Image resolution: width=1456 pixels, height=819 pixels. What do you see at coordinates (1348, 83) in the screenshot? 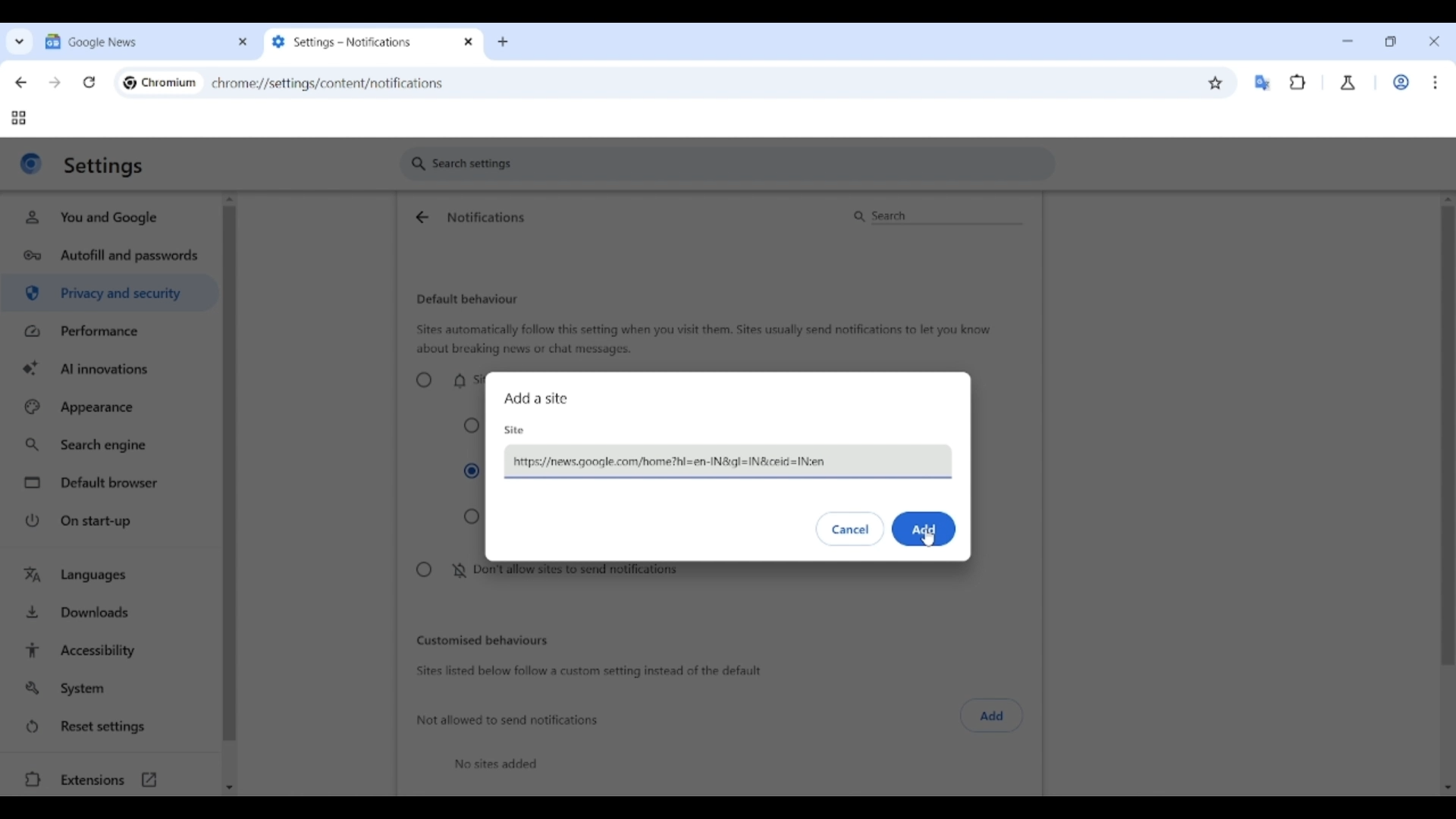
I see `Chrome labs` at bounding box center [1348, 83].